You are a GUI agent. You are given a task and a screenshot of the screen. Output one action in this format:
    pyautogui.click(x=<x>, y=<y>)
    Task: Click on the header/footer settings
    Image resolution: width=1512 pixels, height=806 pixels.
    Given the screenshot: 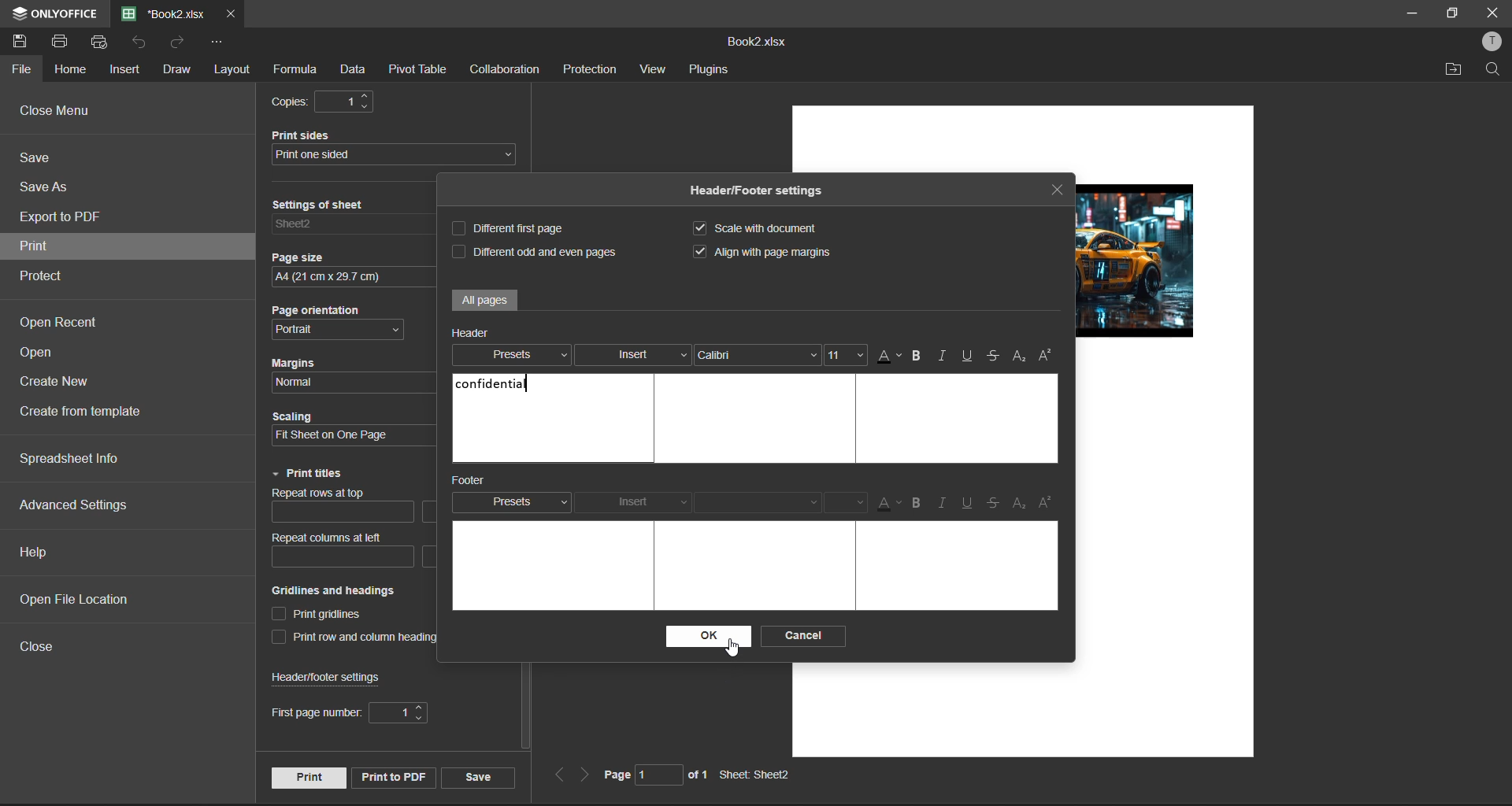 What is the action you would take?
    pyautogui.click(x=761, y=192)
    